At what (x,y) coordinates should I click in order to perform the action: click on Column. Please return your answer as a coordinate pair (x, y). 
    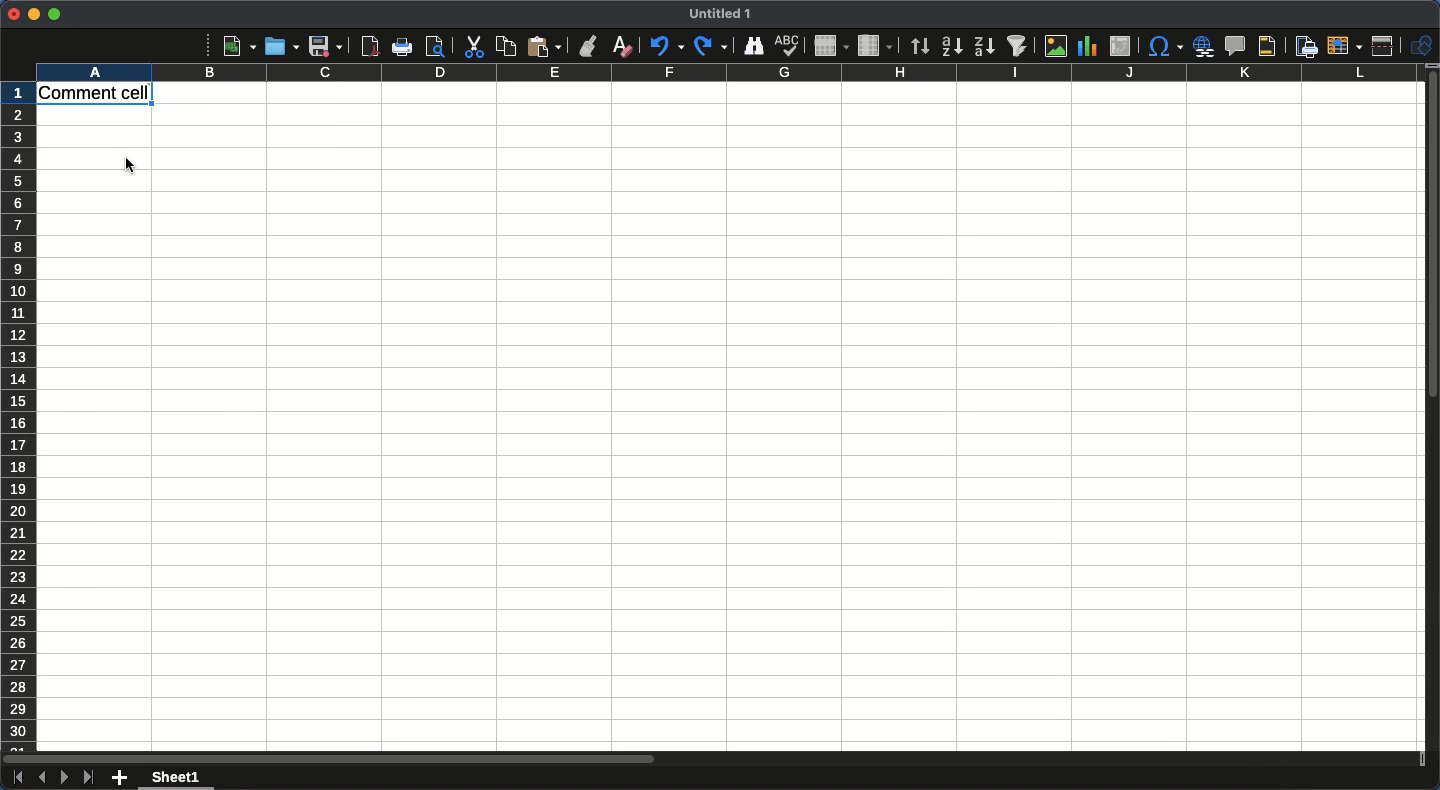
    Looking at the image, I should click on (724, 72).